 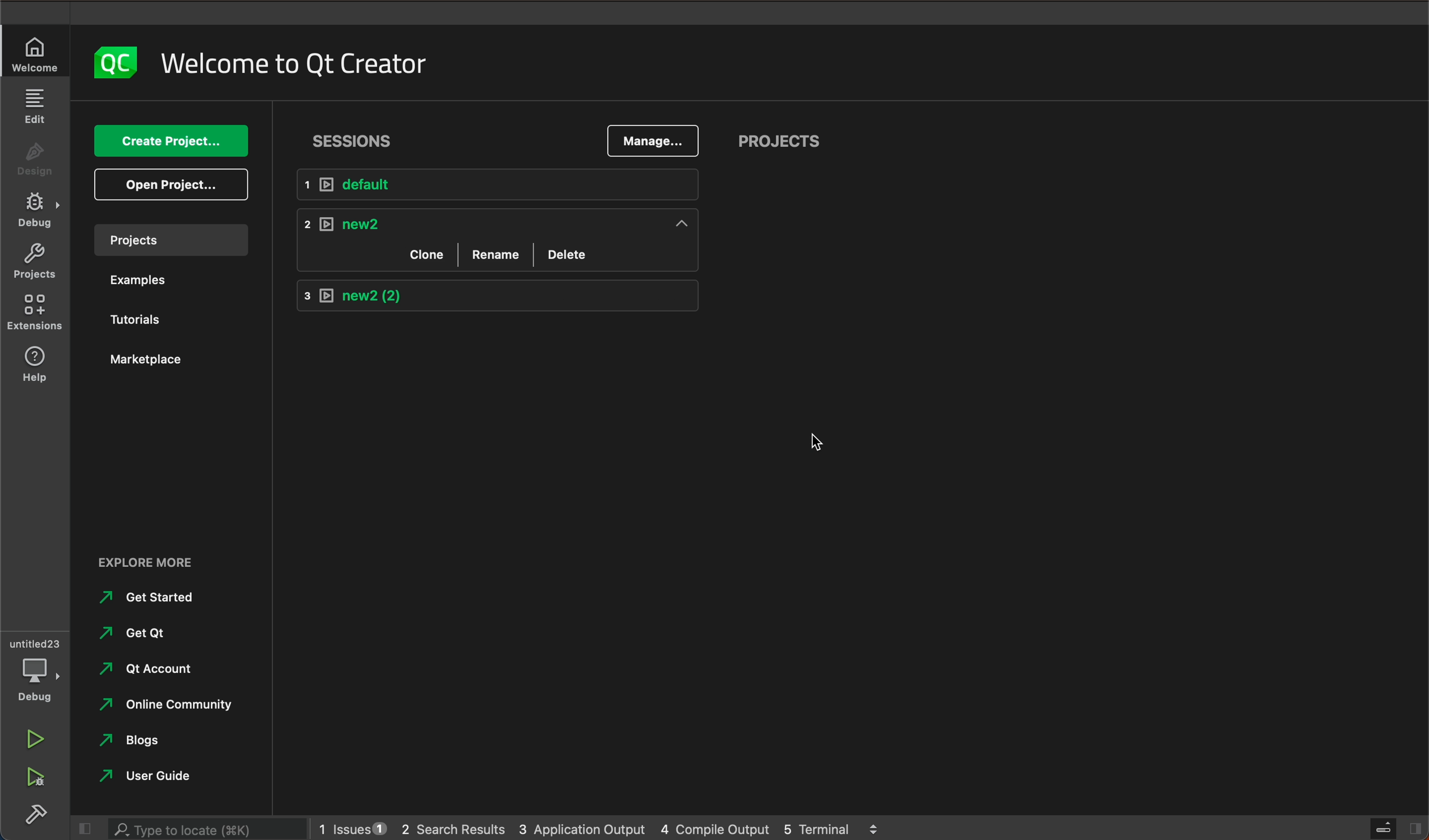 I want to click on user guide, so click(x=161, y=775).